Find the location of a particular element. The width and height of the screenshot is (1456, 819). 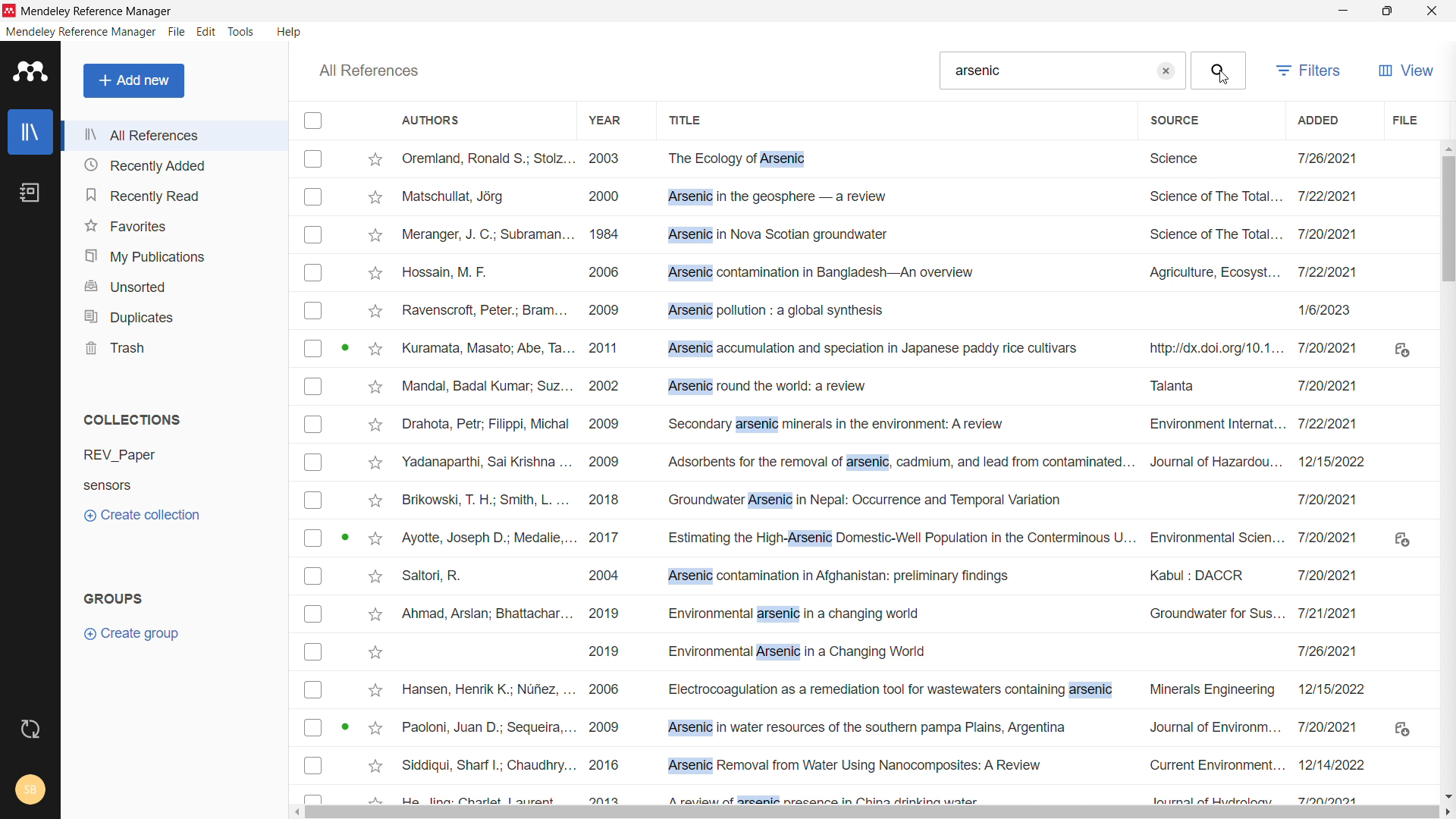

Download is located at coordinates (1404, 721).